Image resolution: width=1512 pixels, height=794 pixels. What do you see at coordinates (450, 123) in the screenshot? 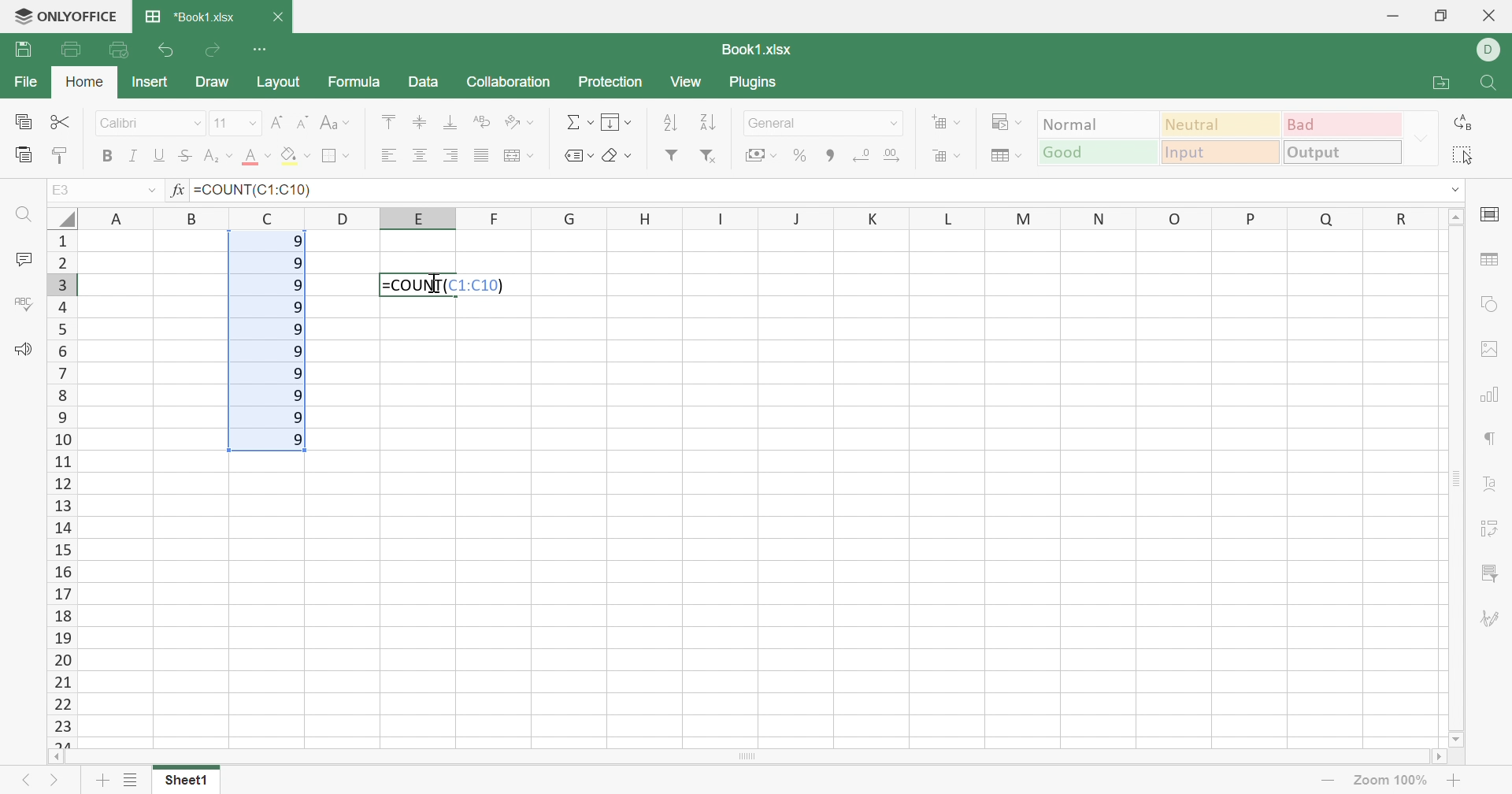
I see `Align Botton` at bounding box center [450, 123].